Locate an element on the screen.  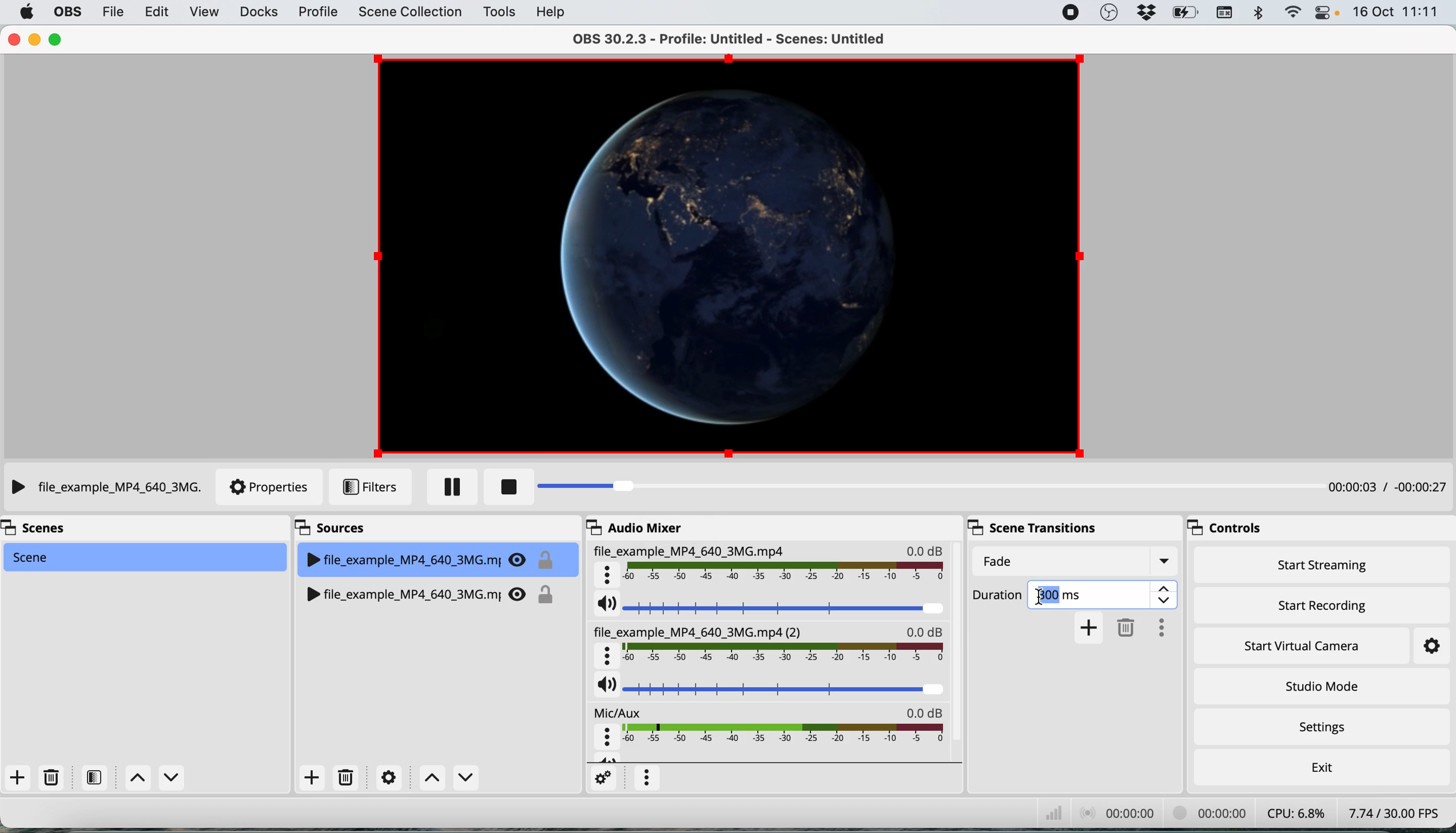
control center is located at coordinates (1322, 13).